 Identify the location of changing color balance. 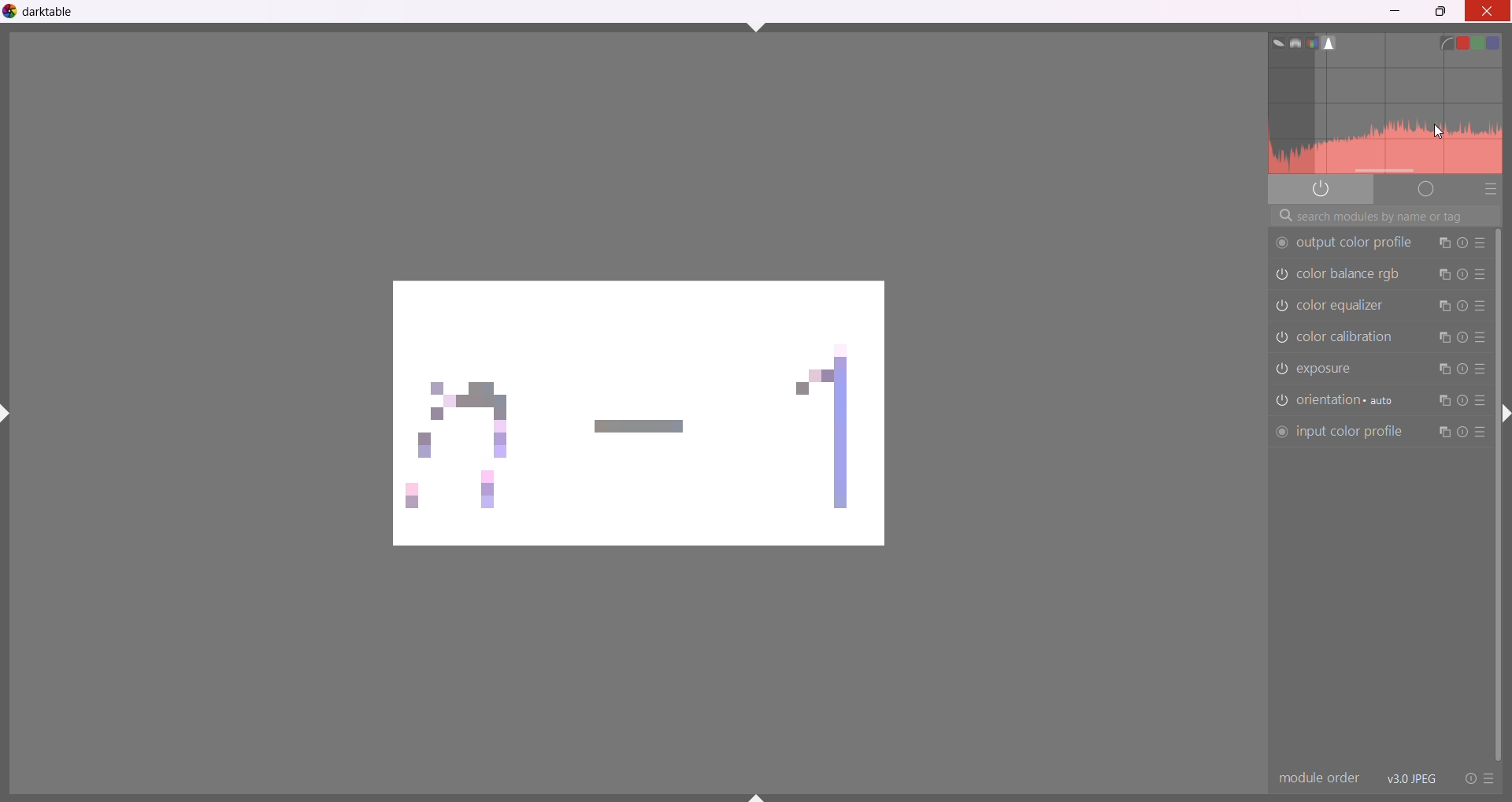
(643, 417).